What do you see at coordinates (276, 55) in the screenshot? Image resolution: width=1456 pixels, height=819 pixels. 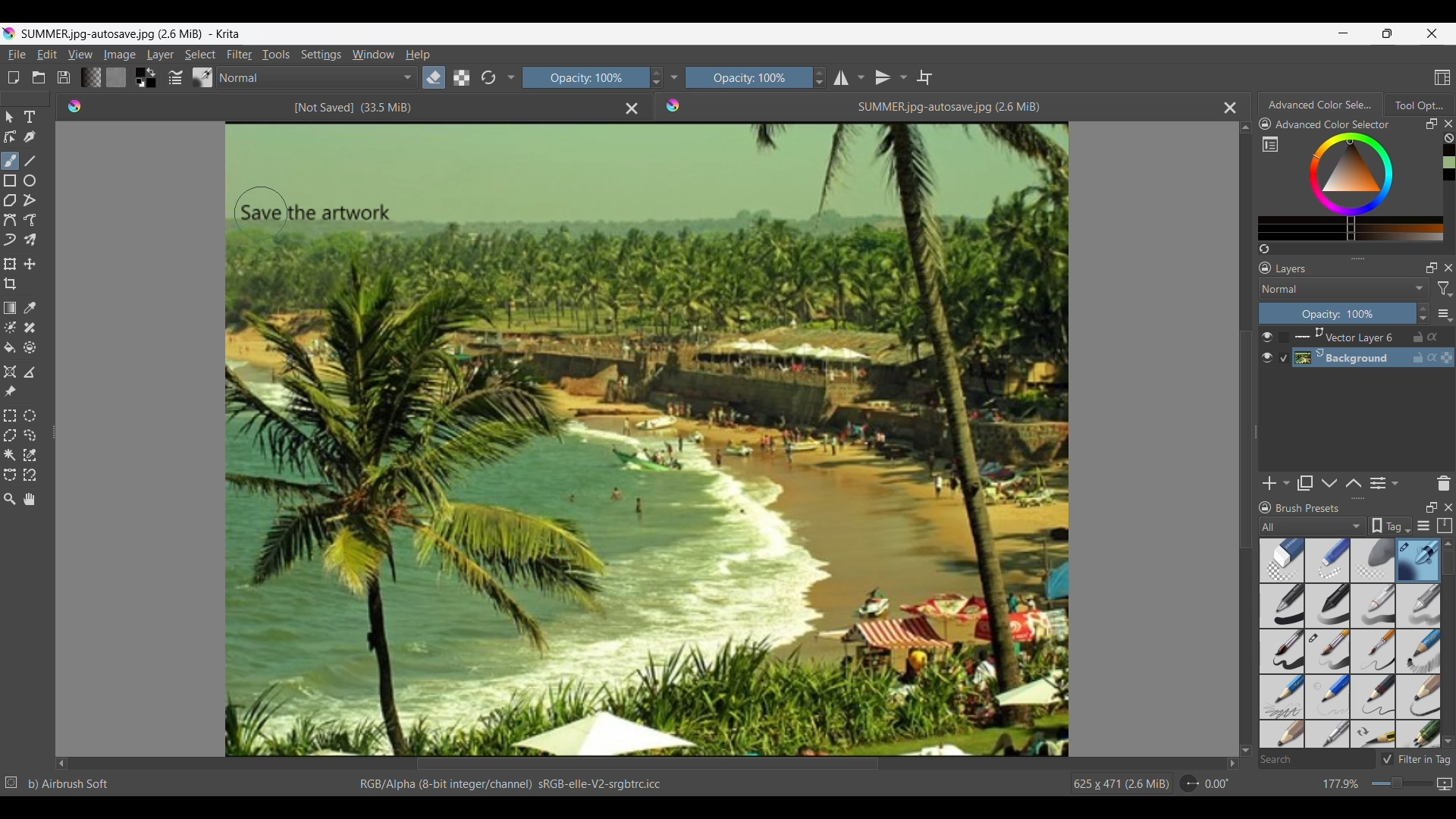 I see `Tools` at bounding box center [276, 55].